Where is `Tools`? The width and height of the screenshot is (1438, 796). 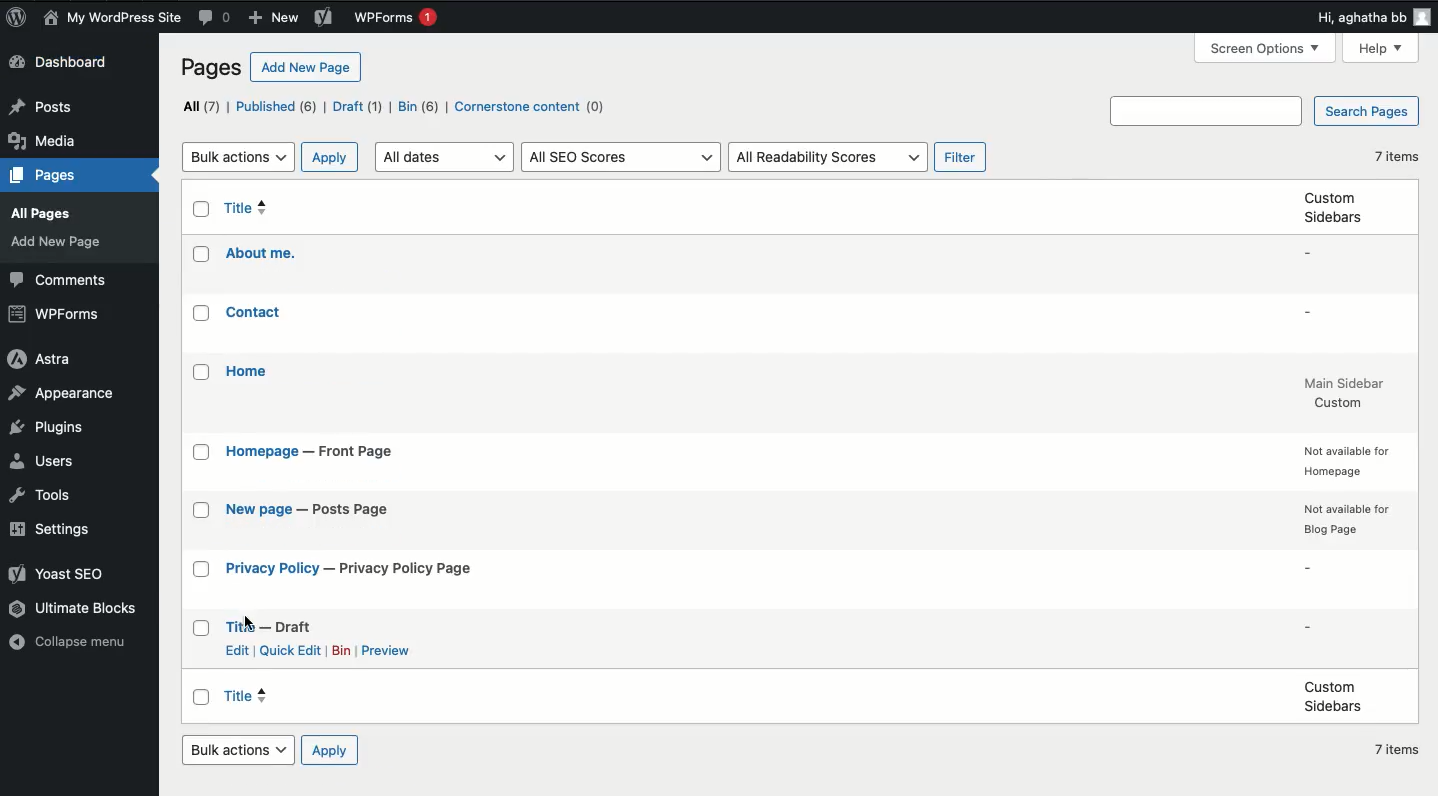
Tools is located at coordinates (41, 497).